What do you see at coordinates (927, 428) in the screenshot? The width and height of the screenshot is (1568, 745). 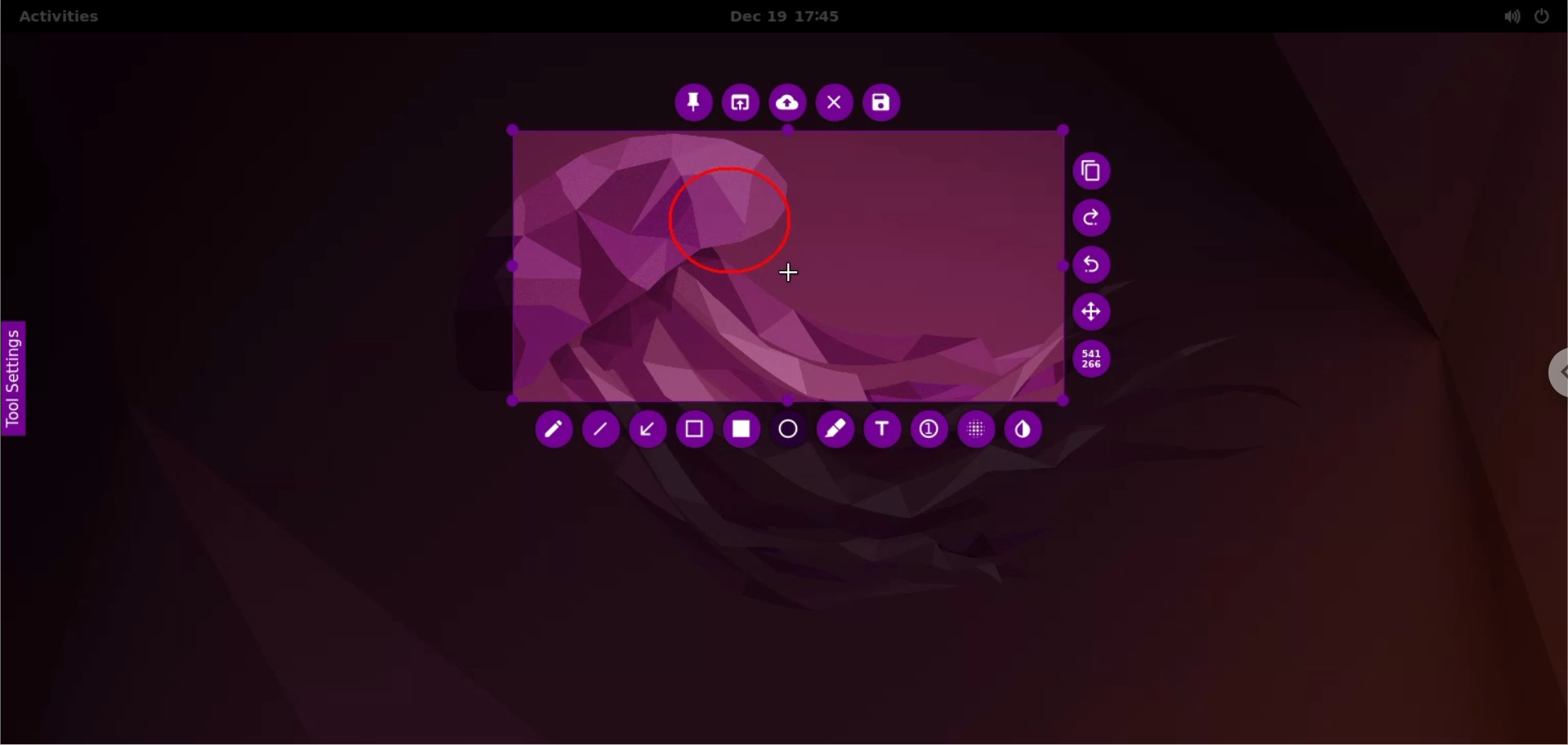 I see `auto increment ` at bounding box center [927, 428].